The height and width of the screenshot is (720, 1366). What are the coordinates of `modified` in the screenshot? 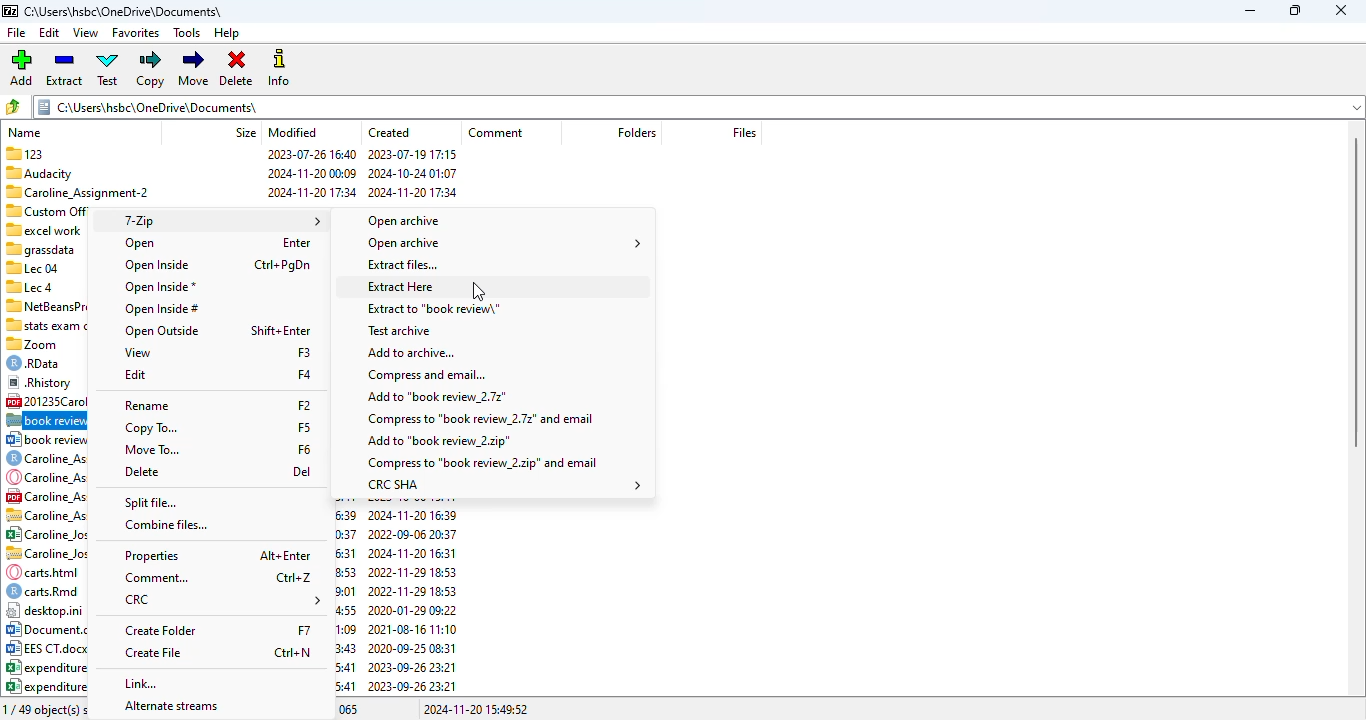 It's located at (292, 132).